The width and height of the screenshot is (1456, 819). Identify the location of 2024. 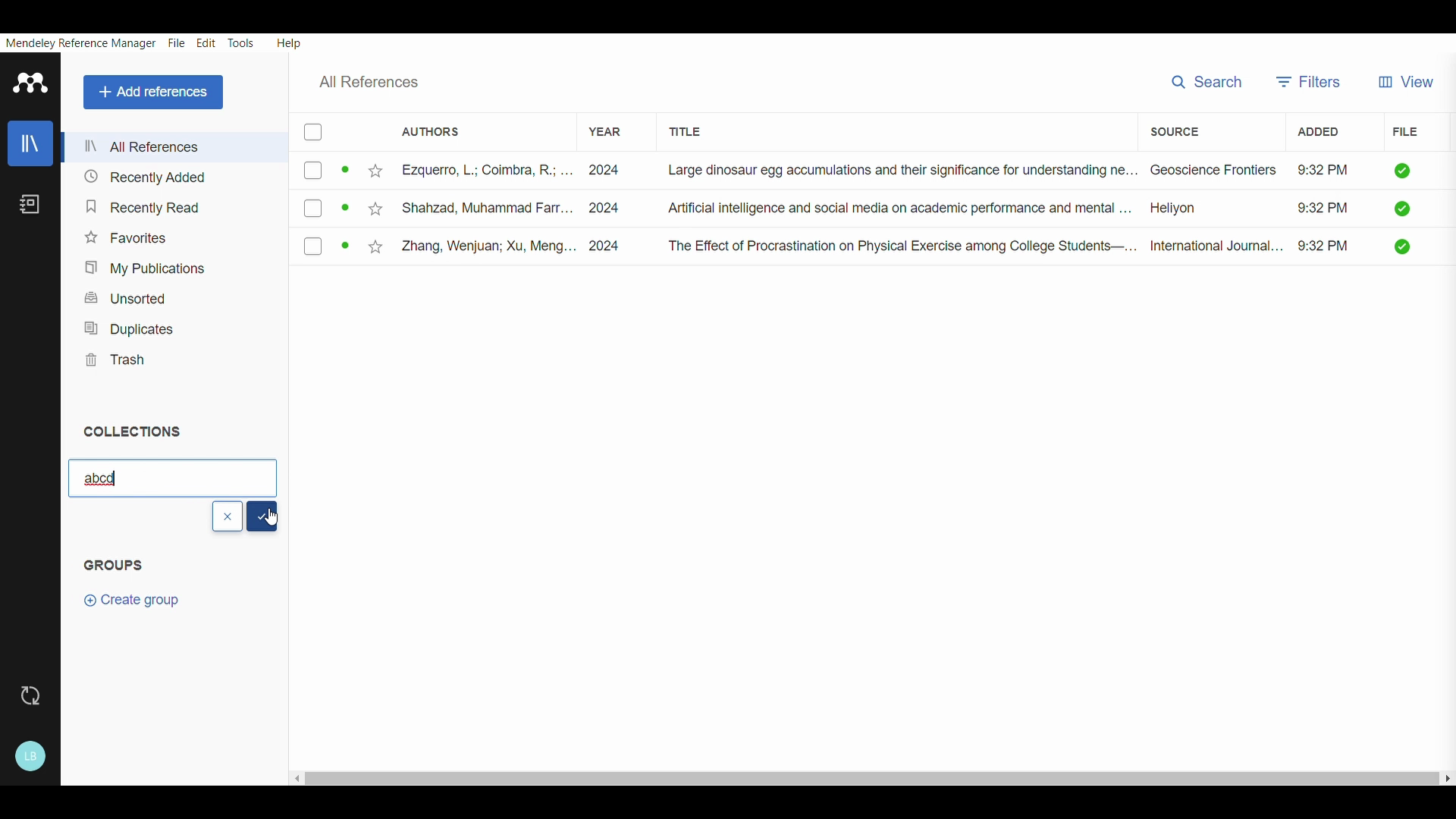
(607, 207).